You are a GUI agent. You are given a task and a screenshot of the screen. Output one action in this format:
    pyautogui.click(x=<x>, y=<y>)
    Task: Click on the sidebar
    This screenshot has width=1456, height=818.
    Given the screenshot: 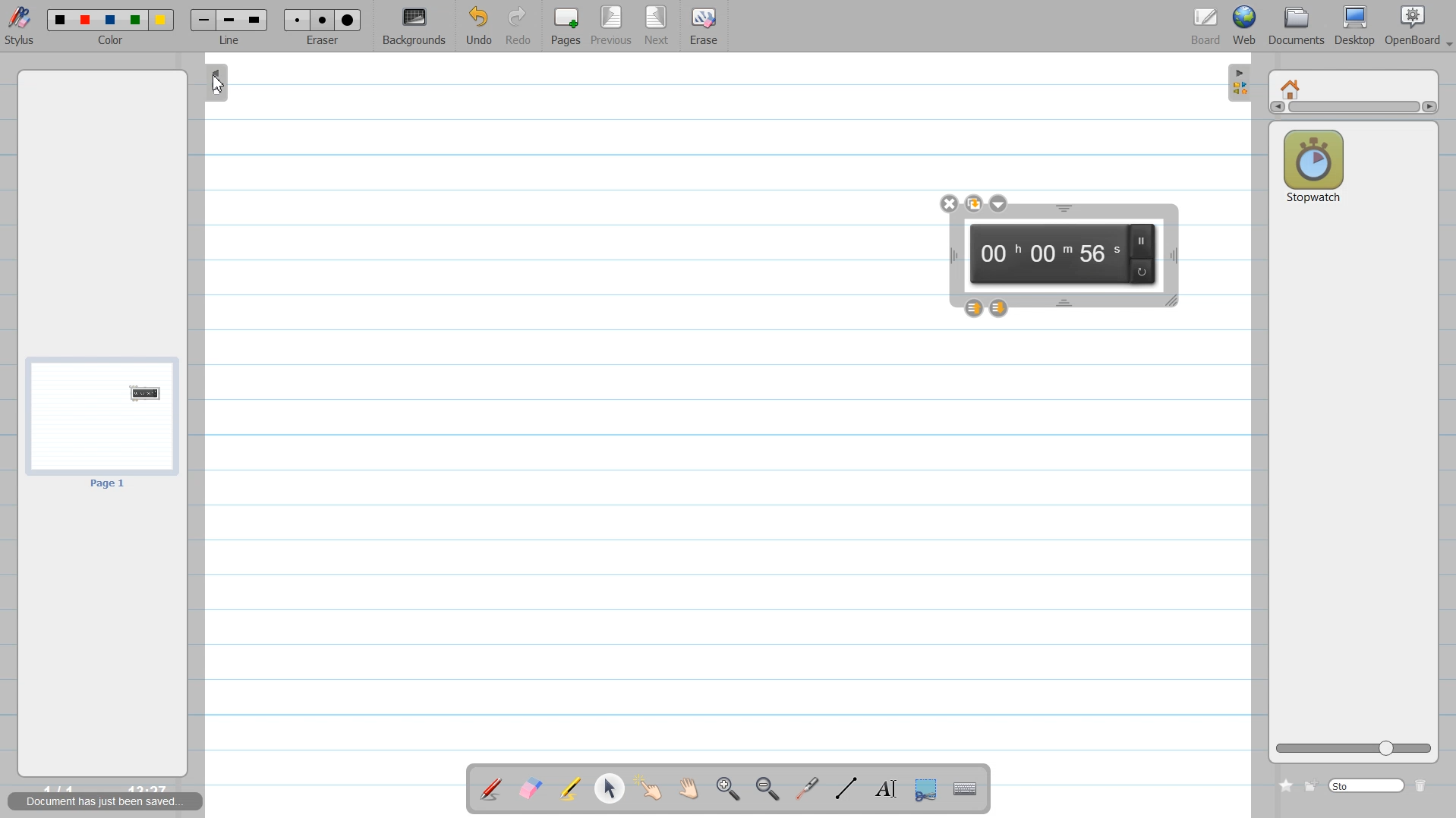 What is the action you would take?
    pyautogui.click(x=218, y=85)
    